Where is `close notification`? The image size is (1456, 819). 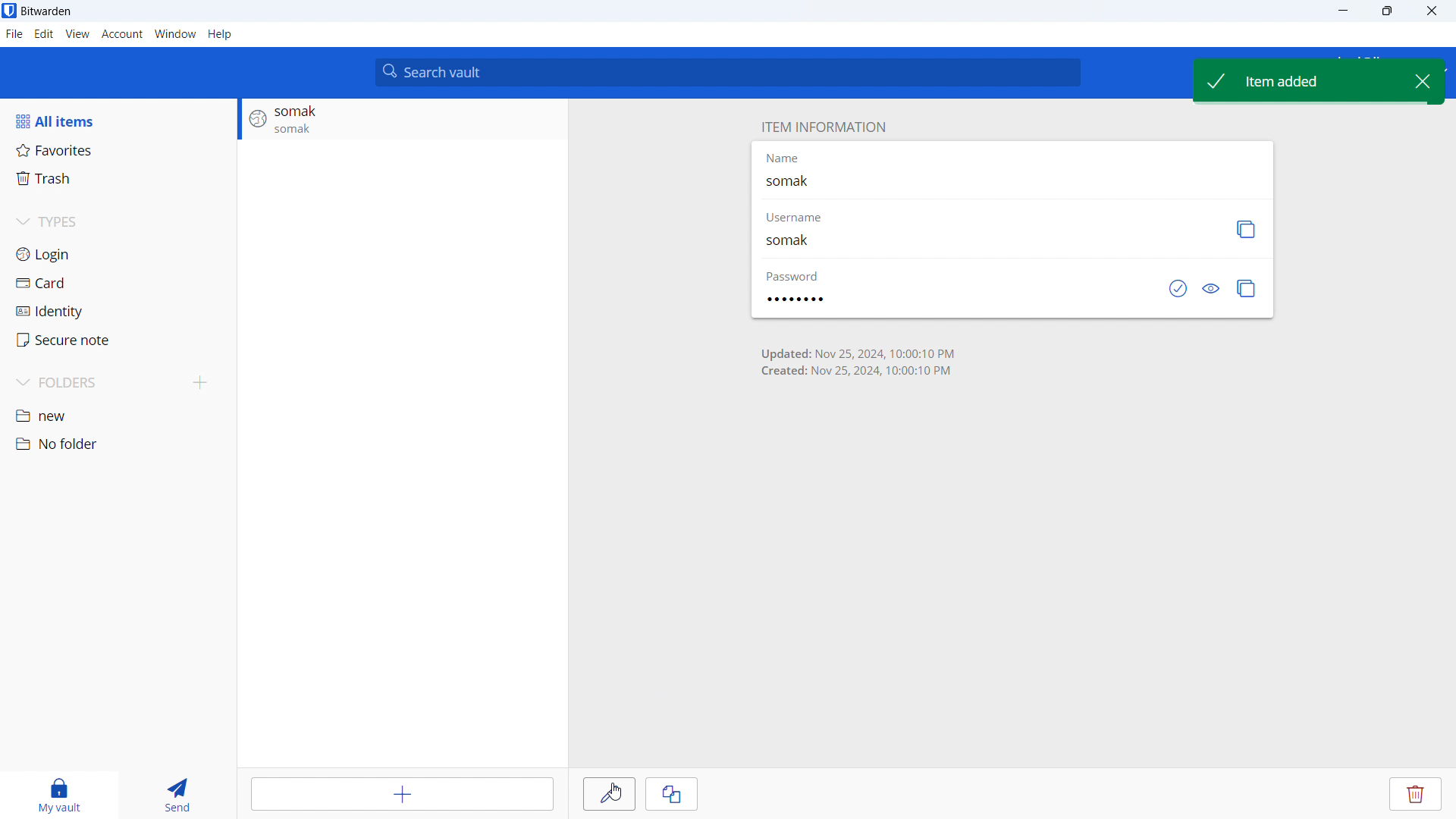 close notification is located at coordinates (1418, 81).